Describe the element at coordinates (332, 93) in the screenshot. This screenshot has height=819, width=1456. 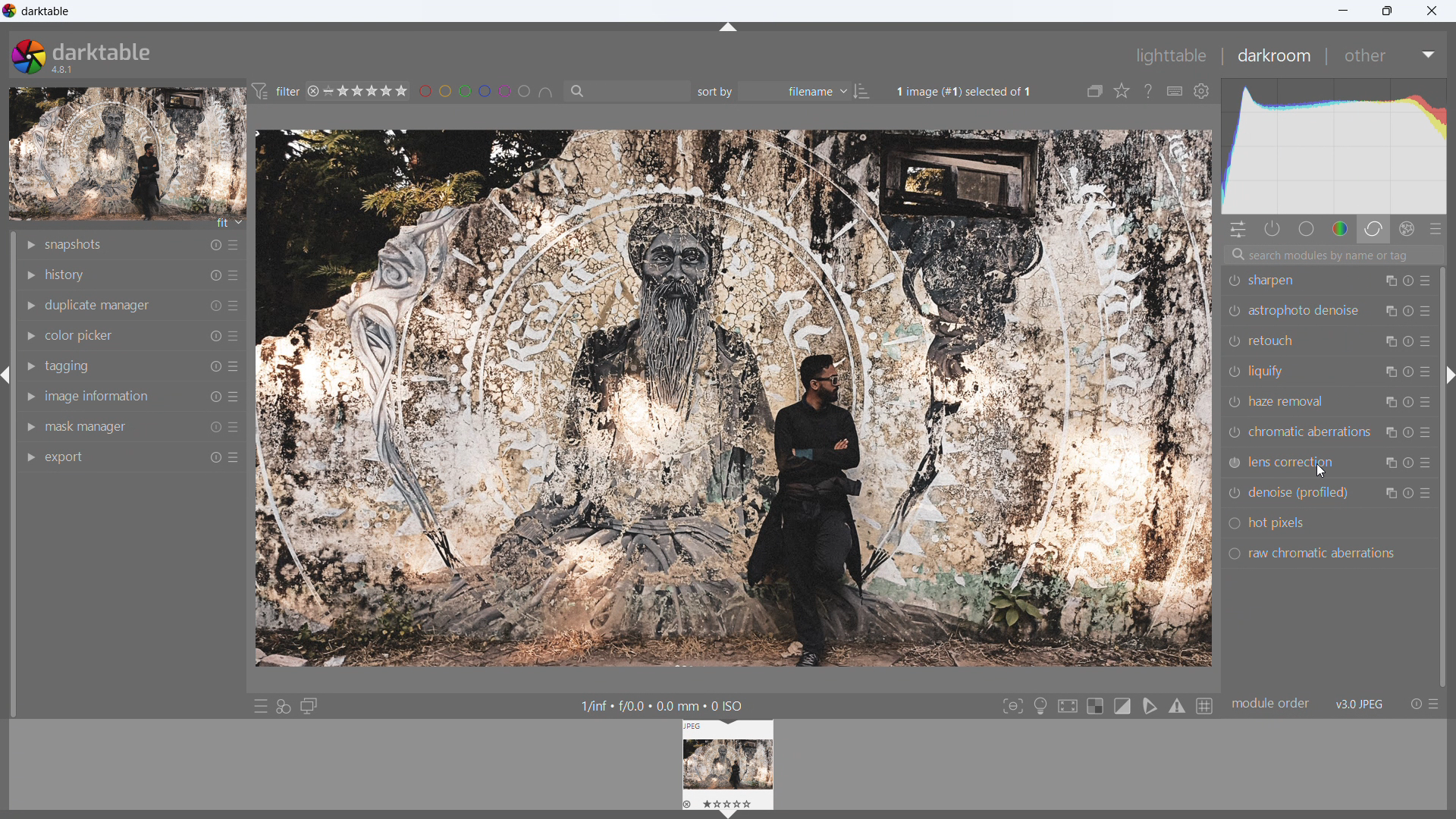
I see `no rating` at that location.